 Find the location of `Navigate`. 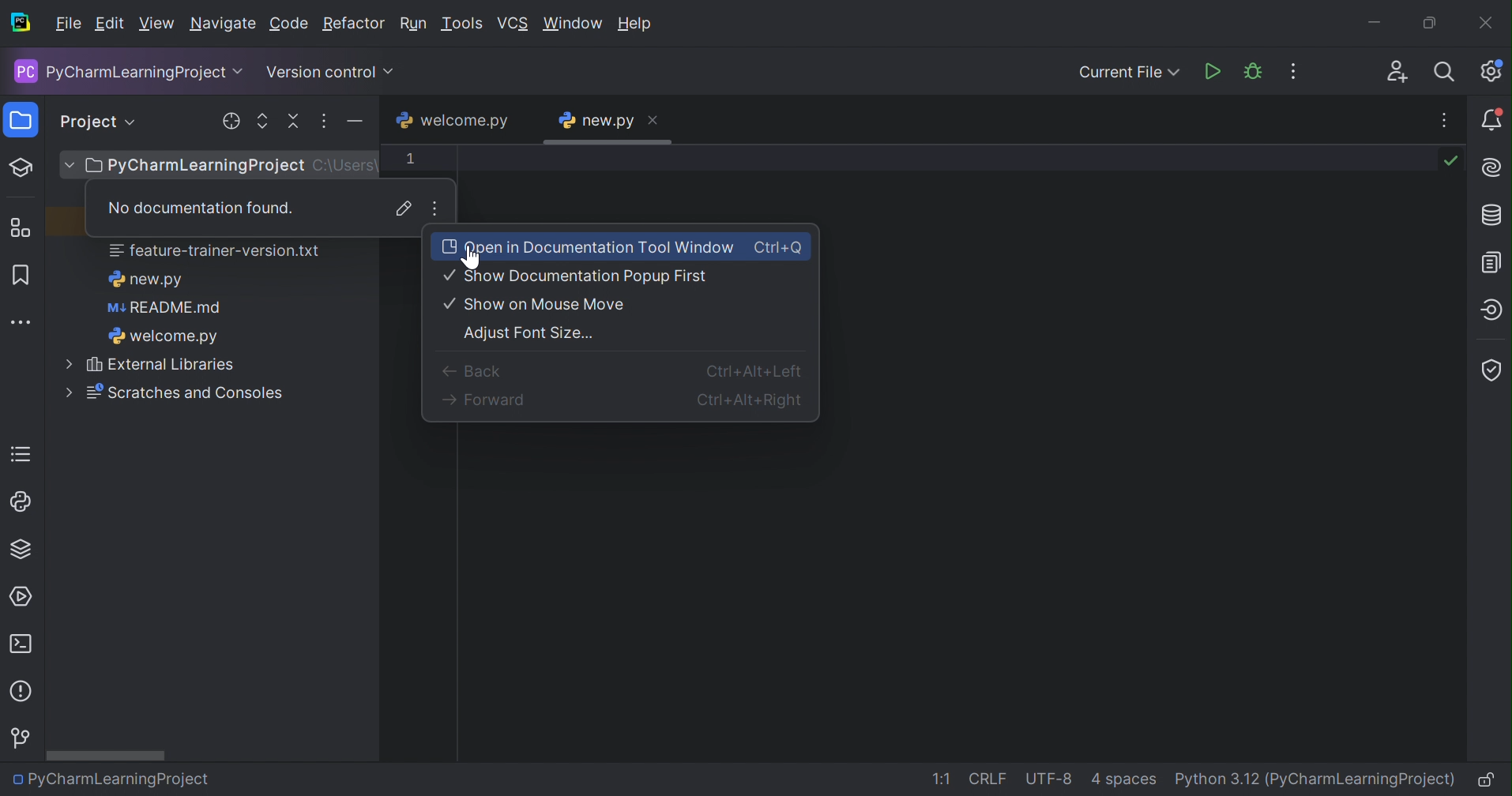

Navigate is located at coordinates (223, 25).